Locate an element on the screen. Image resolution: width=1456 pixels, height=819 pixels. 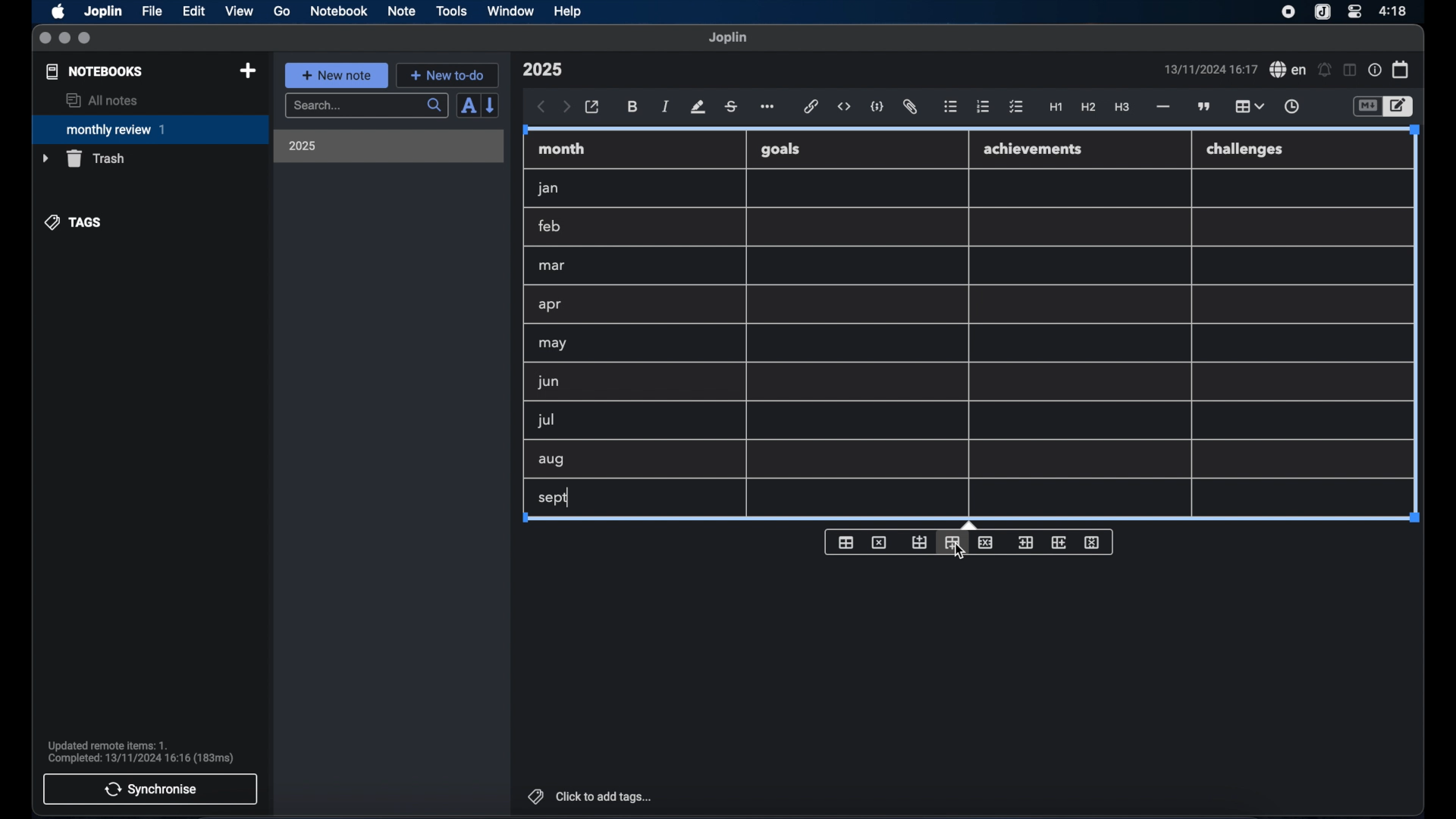
forward is located at coordinates (566, 108).